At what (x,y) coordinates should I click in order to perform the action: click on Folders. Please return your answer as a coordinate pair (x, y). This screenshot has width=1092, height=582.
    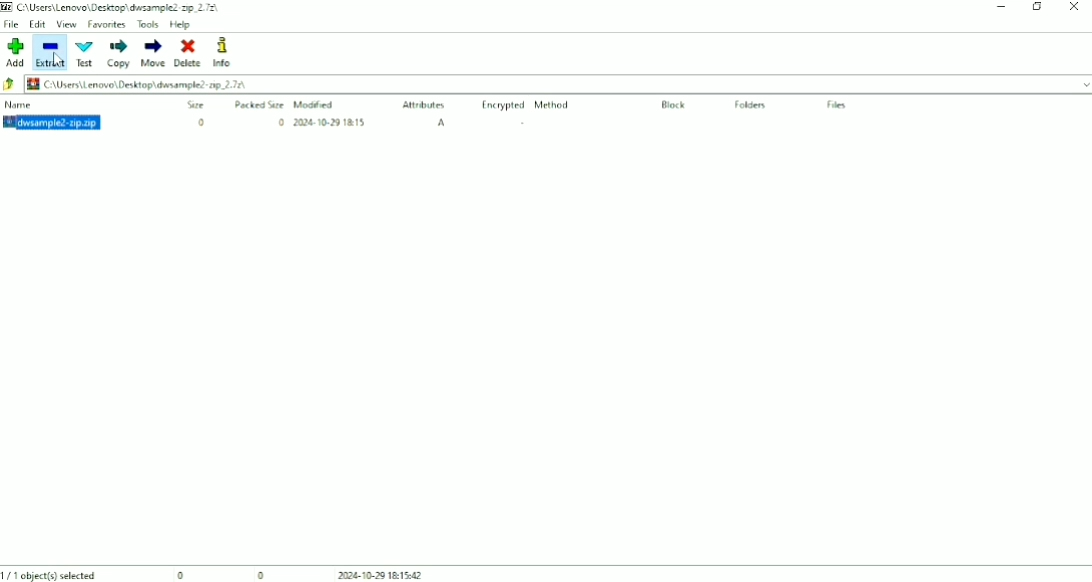
    Looking at the image, I should click on (753, 106).